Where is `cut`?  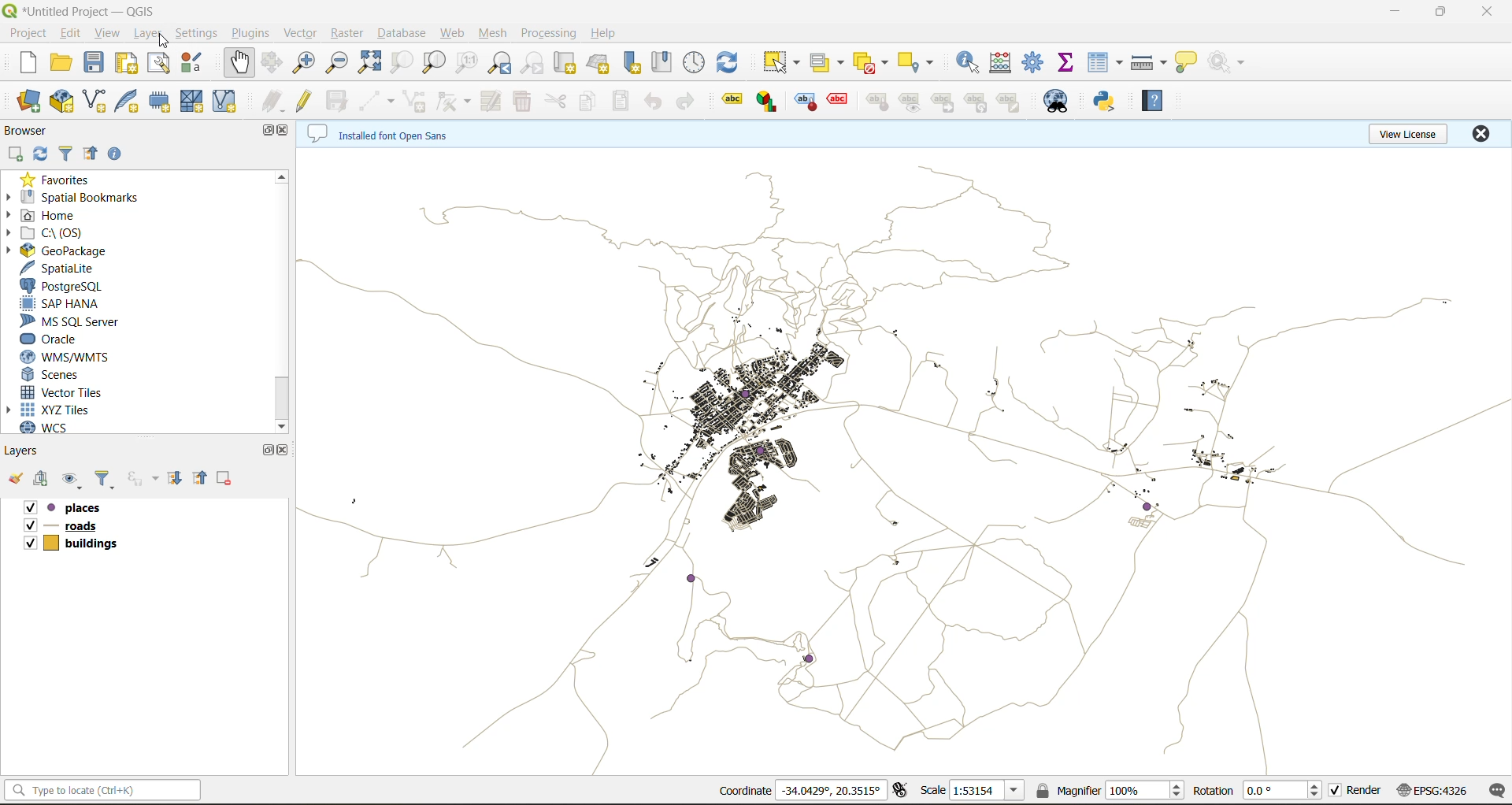 cut is located at coordinates (560, 102).